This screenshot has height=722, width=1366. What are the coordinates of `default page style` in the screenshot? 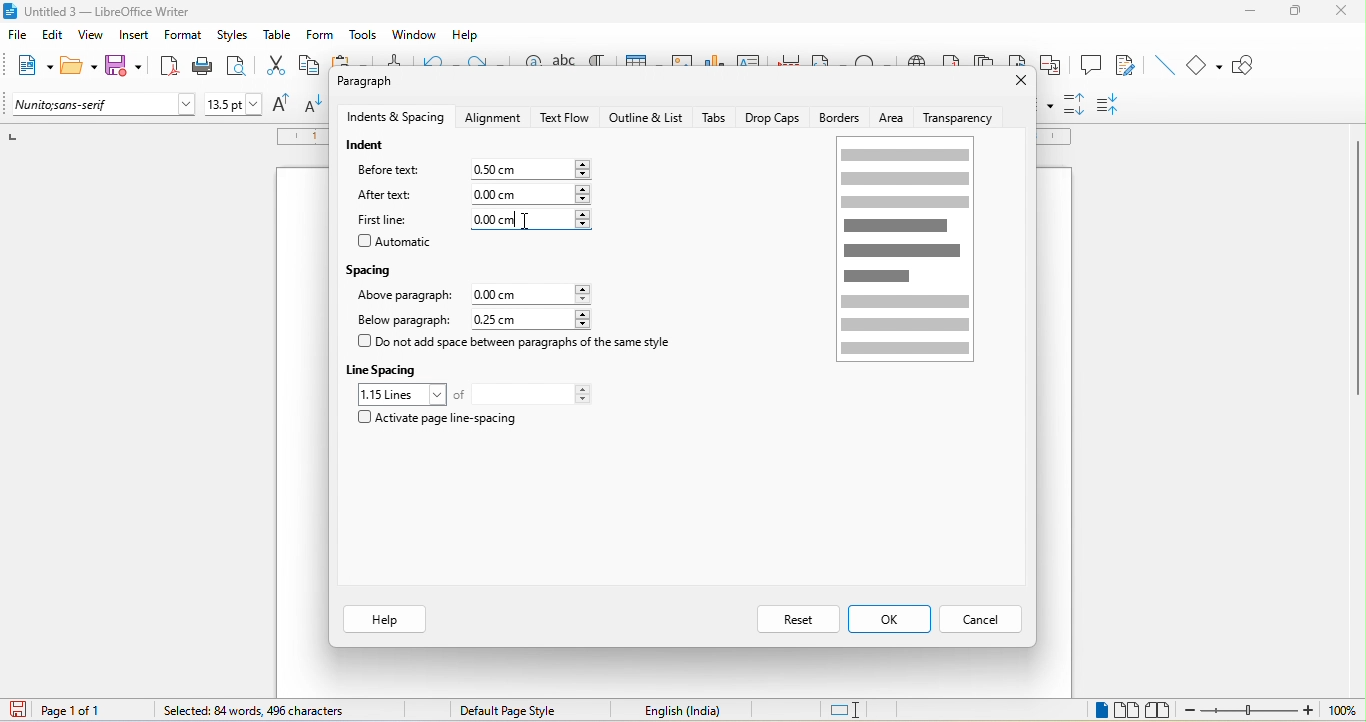 It's located at (511, 711).